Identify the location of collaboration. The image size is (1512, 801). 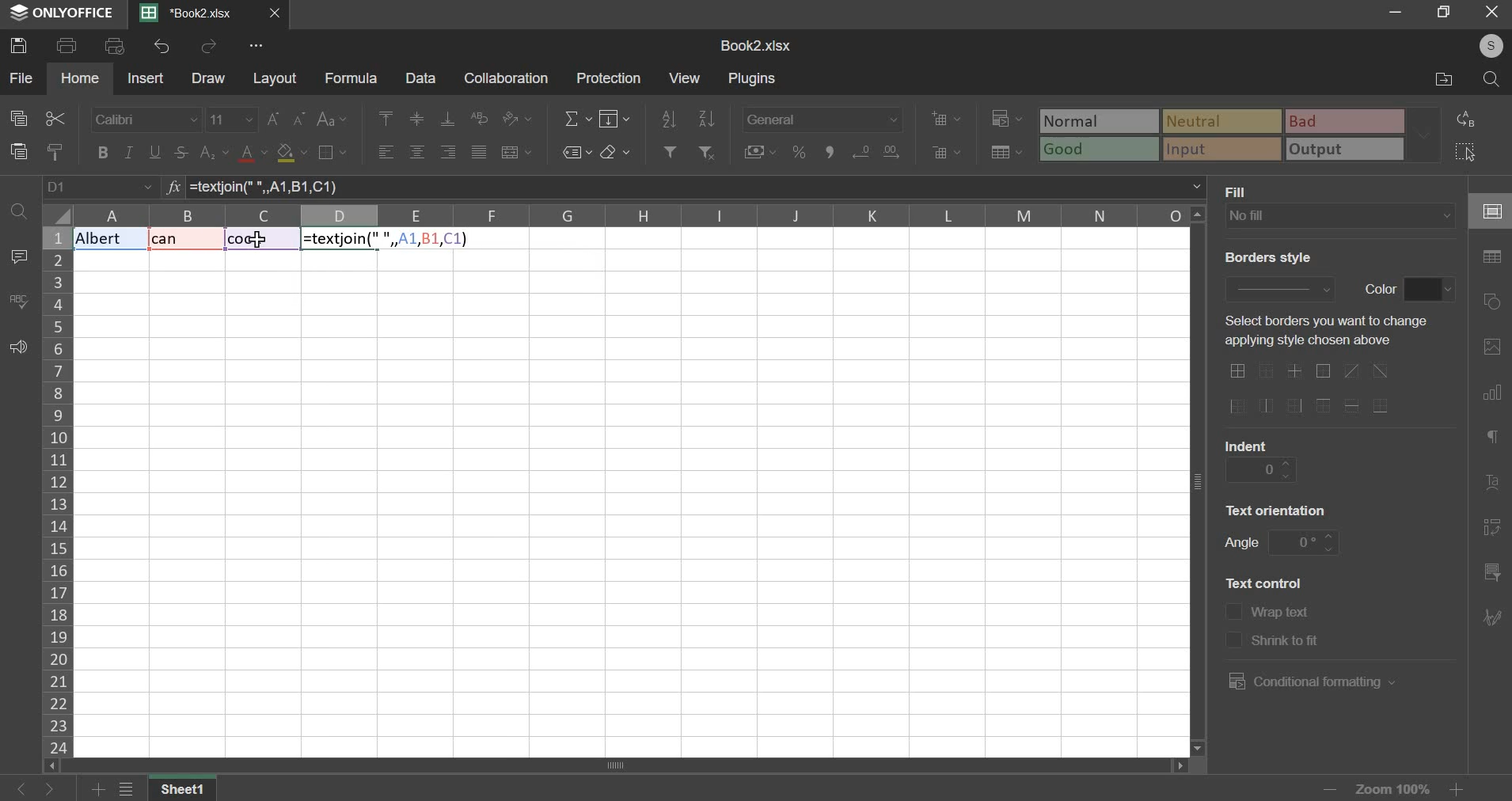
(507, 79).